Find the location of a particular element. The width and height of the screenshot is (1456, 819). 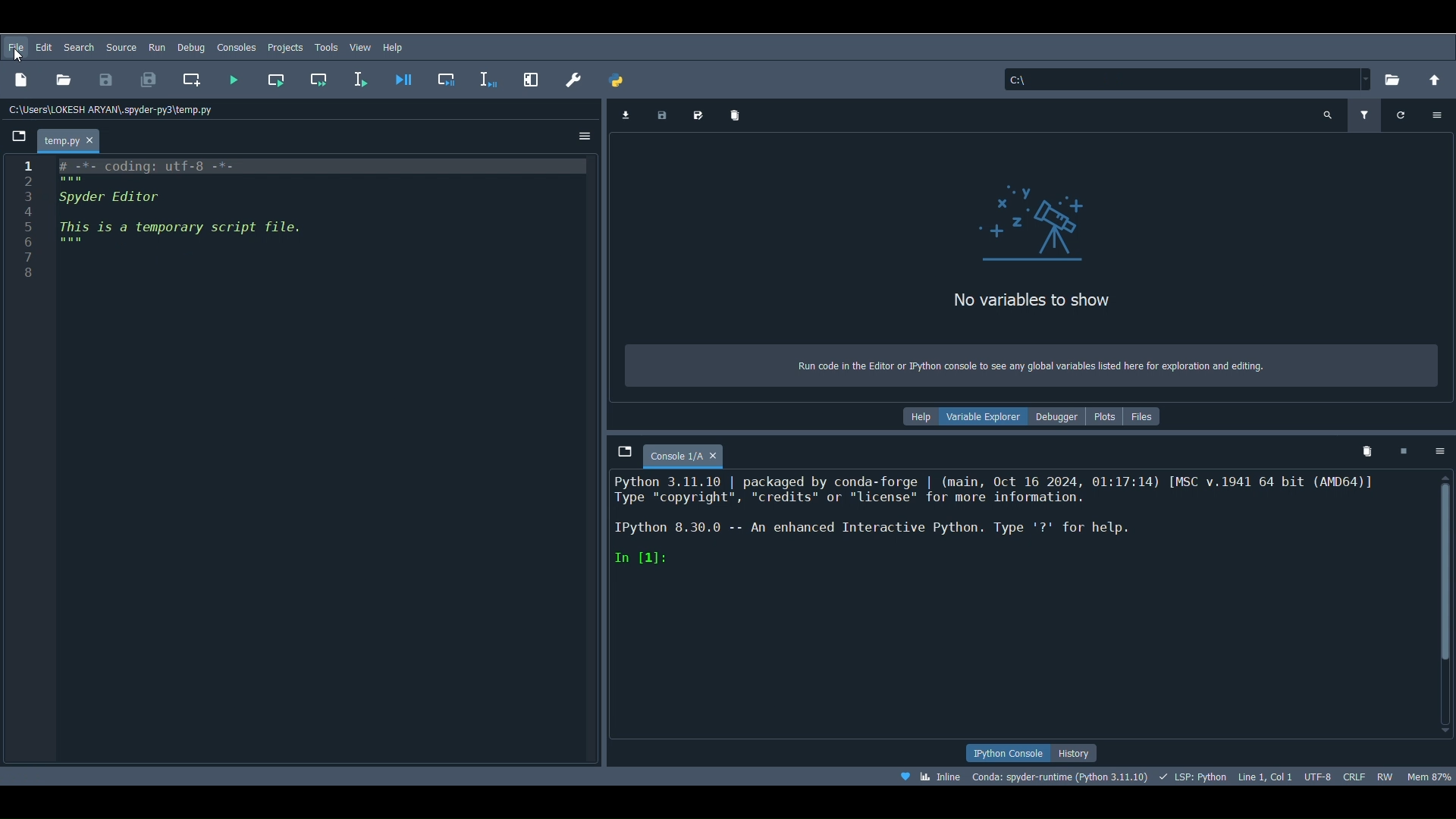

Browse tabs is located at coordinates (625, 452).